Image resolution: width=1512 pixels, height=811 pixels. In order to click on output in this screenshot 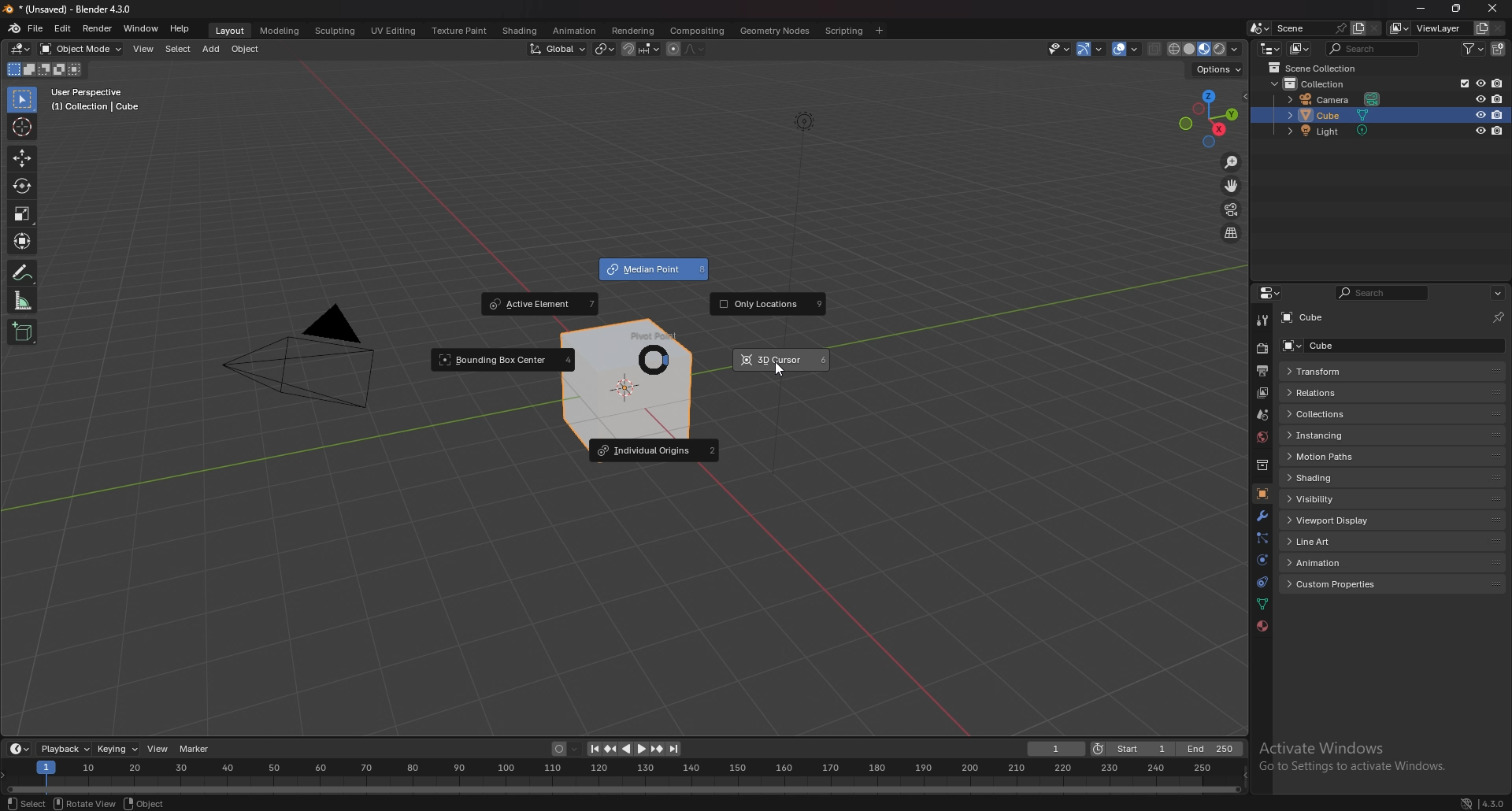, I will do `click(1262, 371)`.